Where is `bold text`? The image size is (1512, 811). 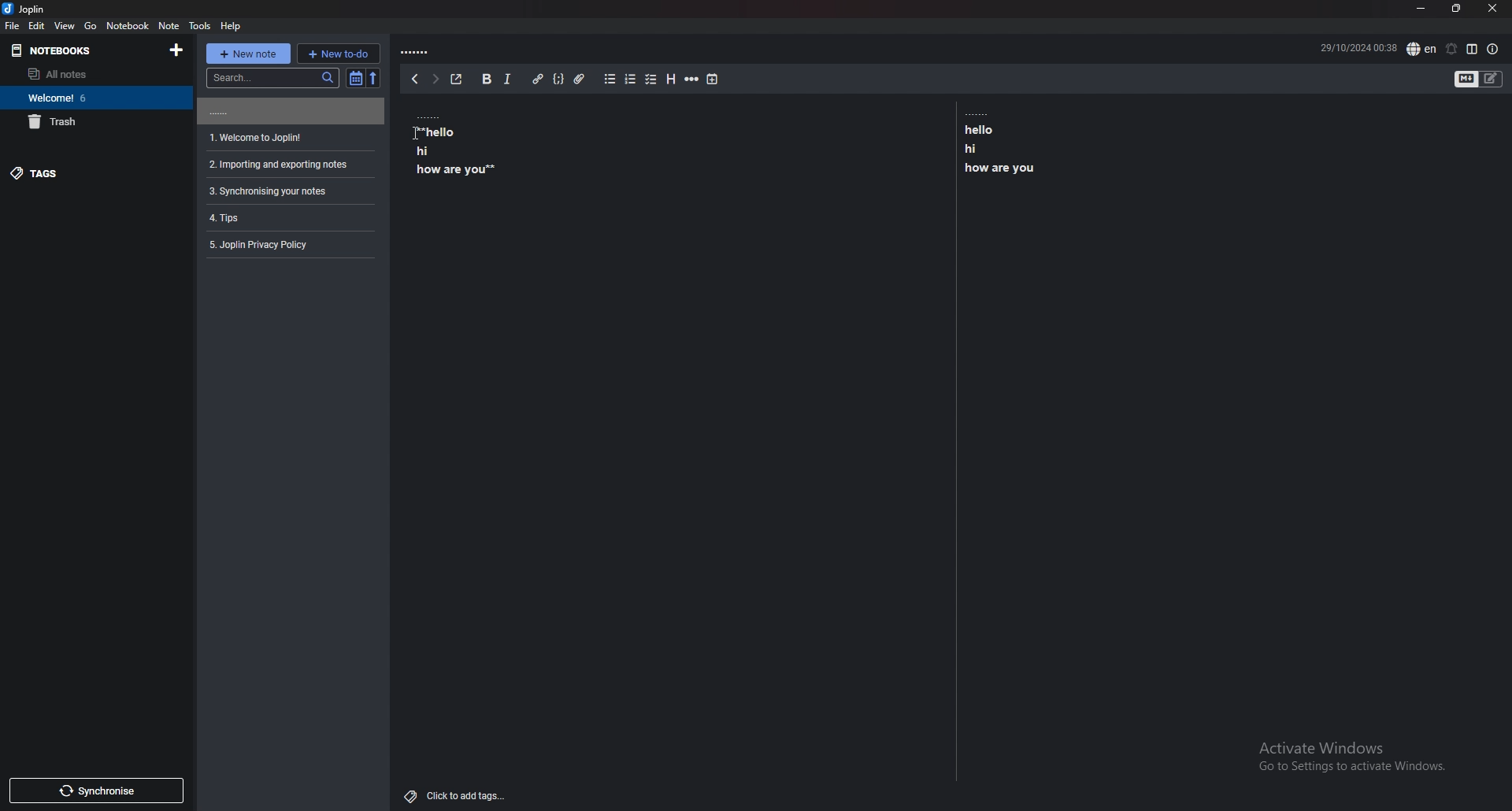
bold text is located at coordinates (1004, 149).